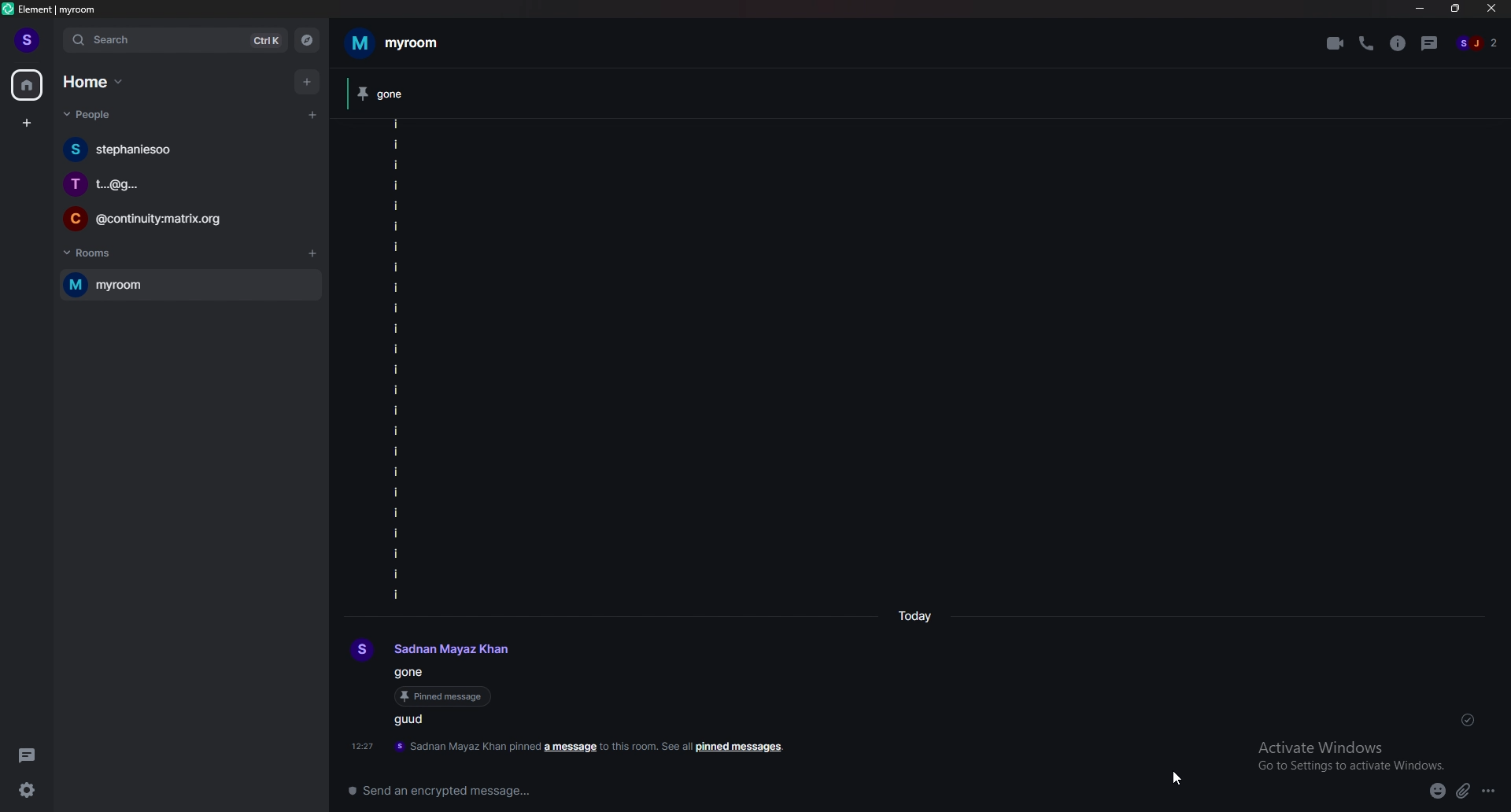  Describe the element at coordinates (309, 83) in the screenshot. I see `add` at that location.